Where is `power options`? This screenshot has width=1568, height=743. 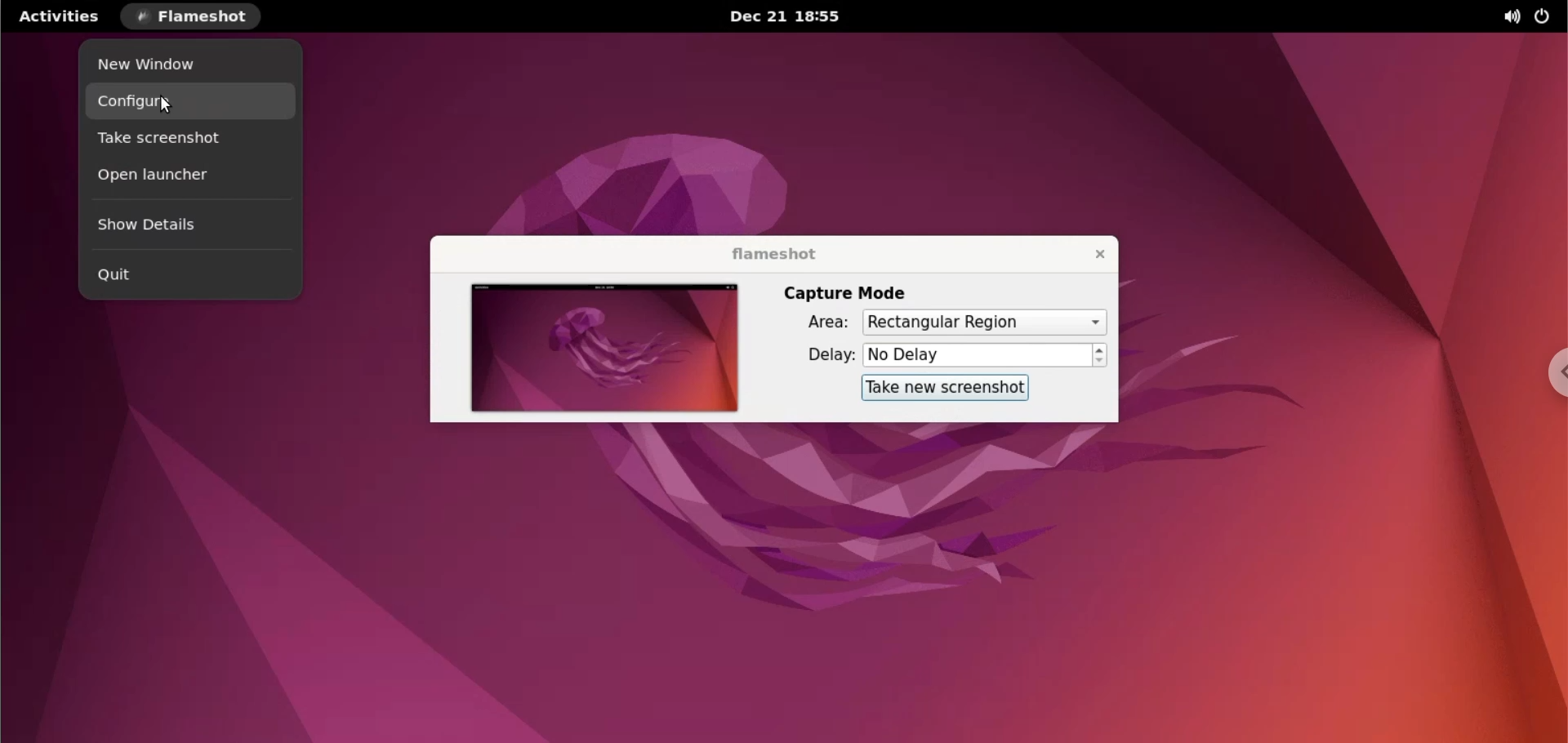 power options is located at coordinates (1543, 17).